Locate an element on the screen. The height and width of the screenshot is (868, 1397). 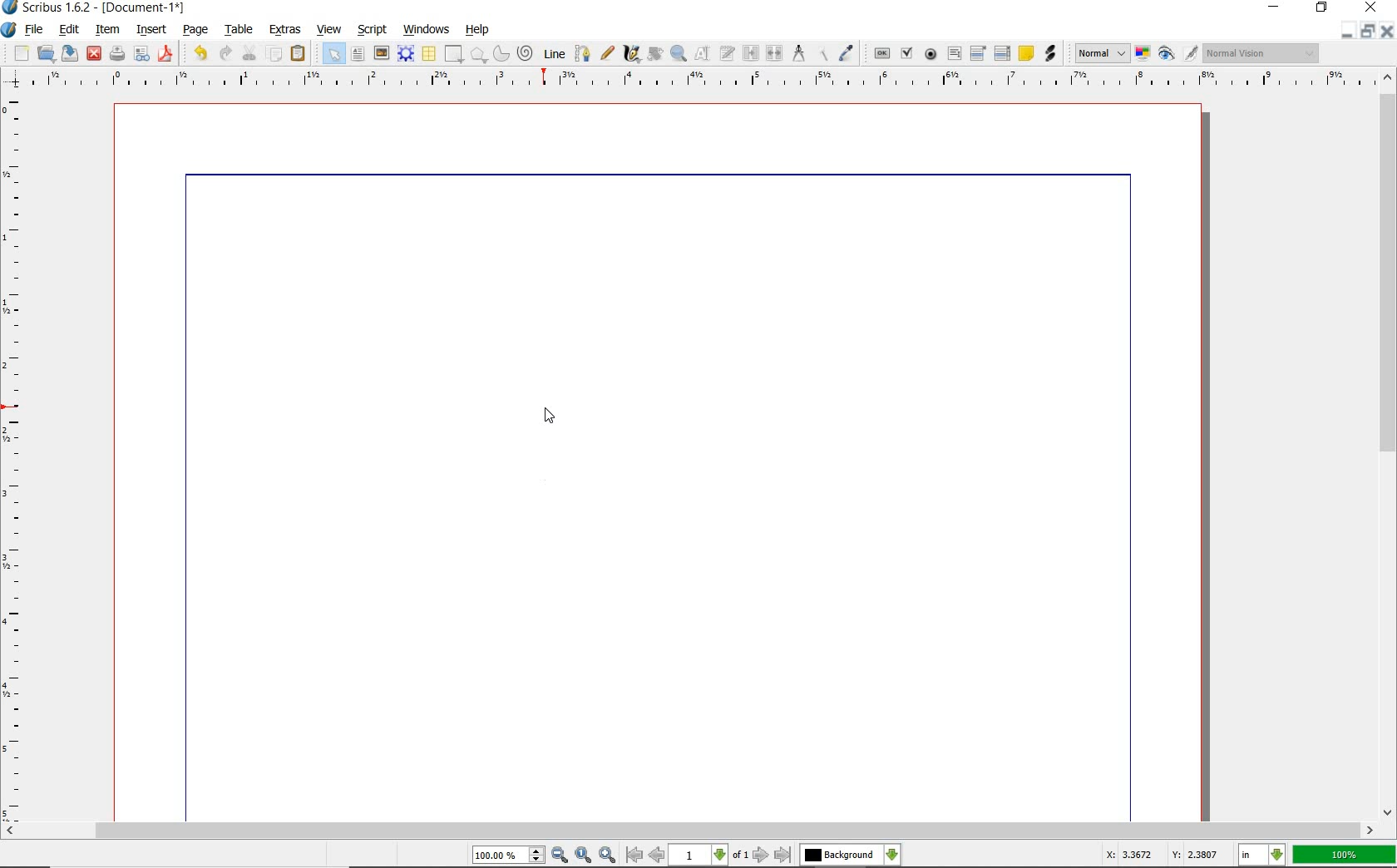
link annotation is located at coordinates (1050, 55).